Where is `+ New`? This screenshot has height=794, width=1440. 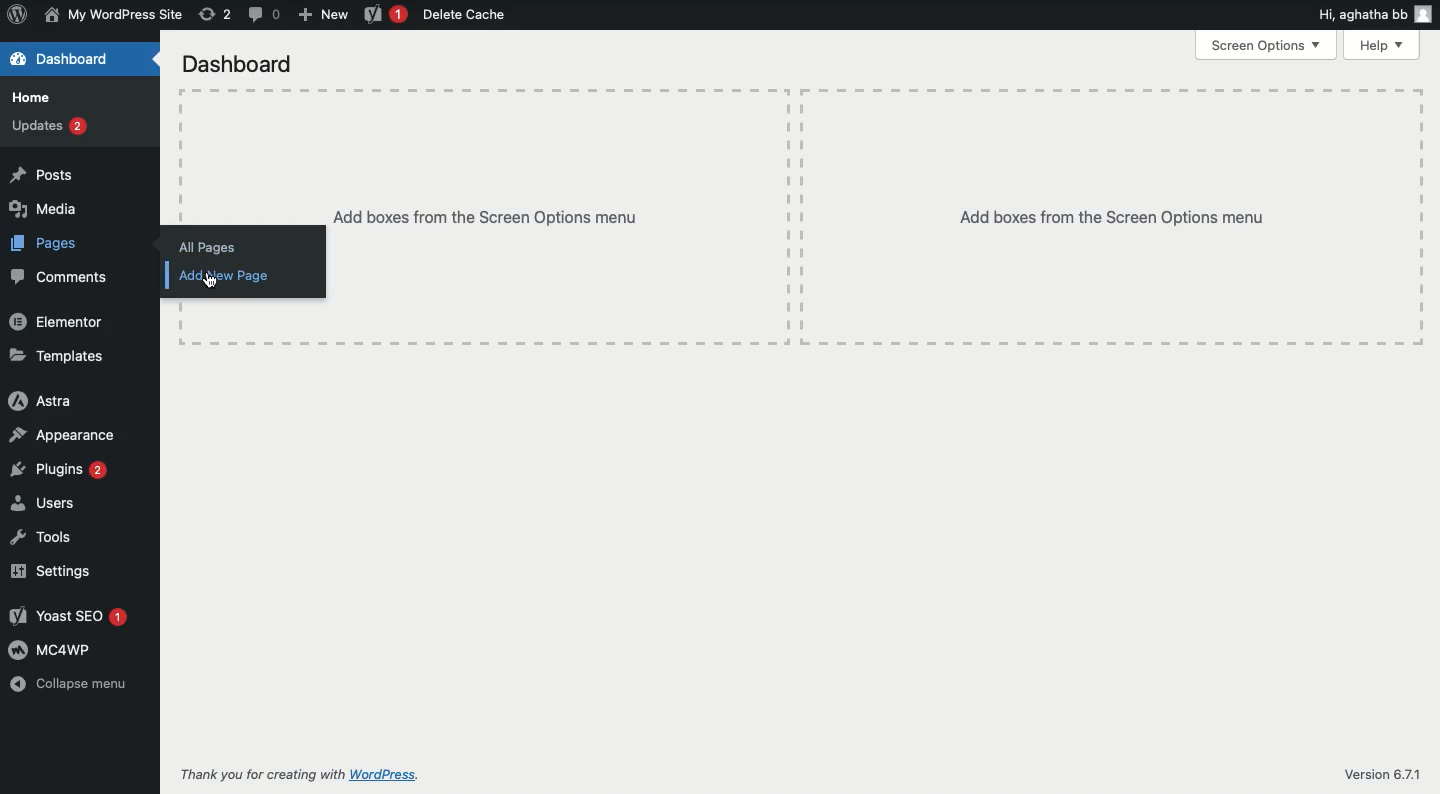
+ New is located at coordinates (325, 15).